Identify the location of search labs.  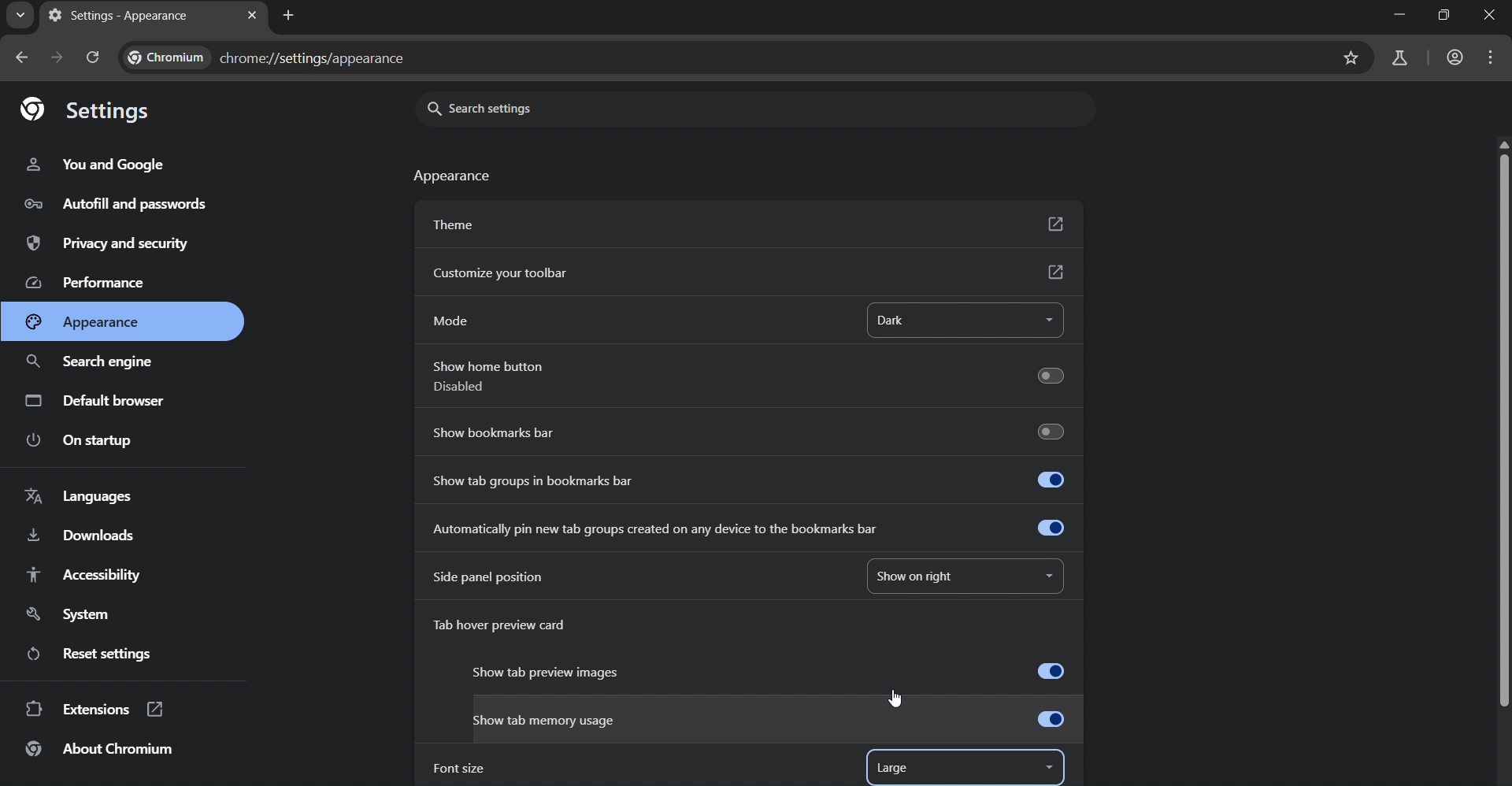
(1398, 59).